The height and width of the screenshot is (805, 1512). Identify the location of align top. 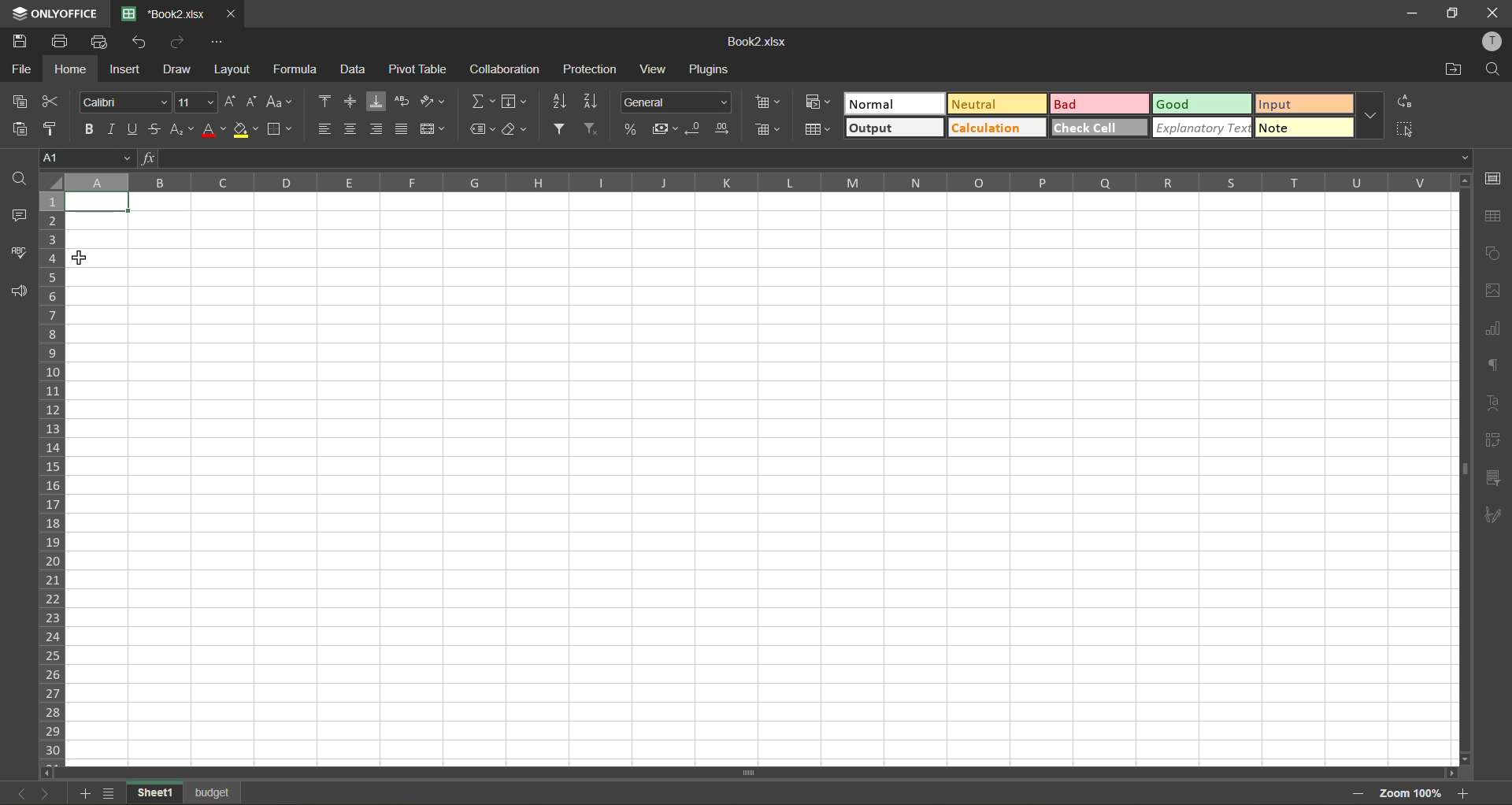
(323, 101).